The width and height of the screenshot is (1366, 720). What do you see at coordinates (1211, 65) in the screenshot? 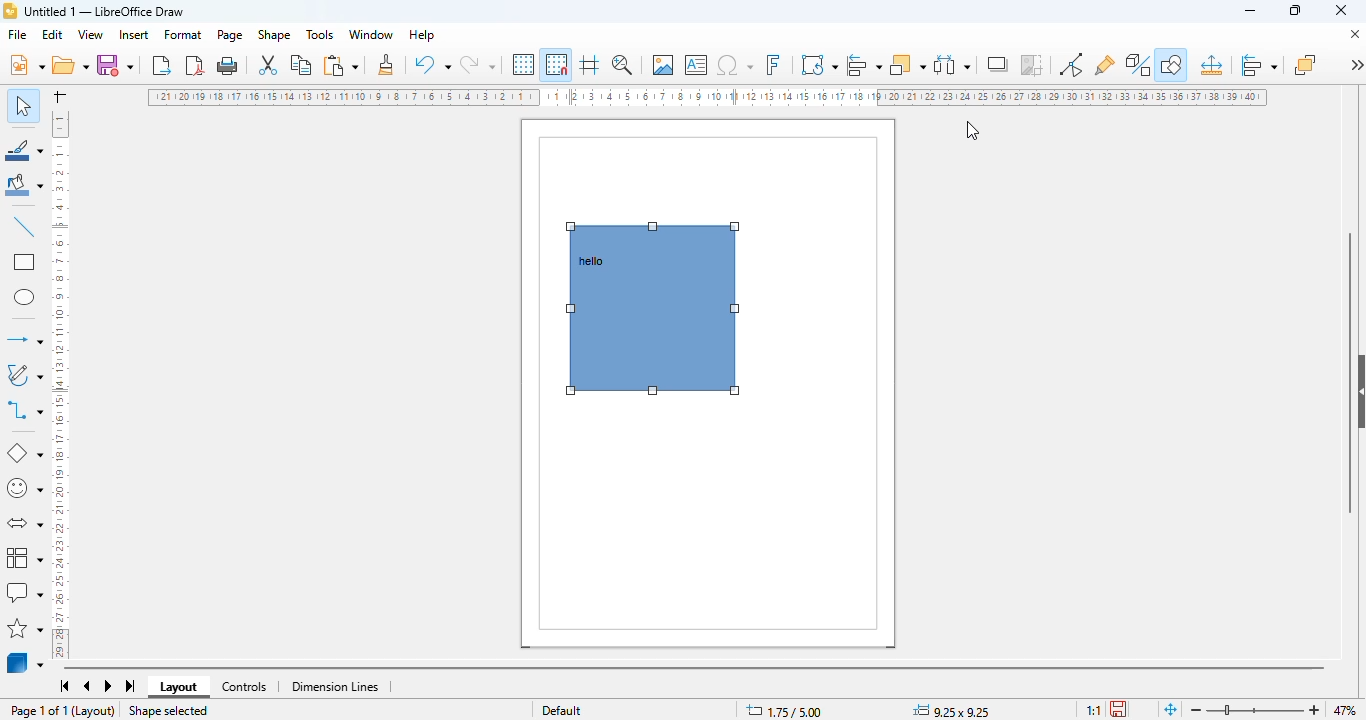
I see `position and size` at bounding box center [1211, 65].